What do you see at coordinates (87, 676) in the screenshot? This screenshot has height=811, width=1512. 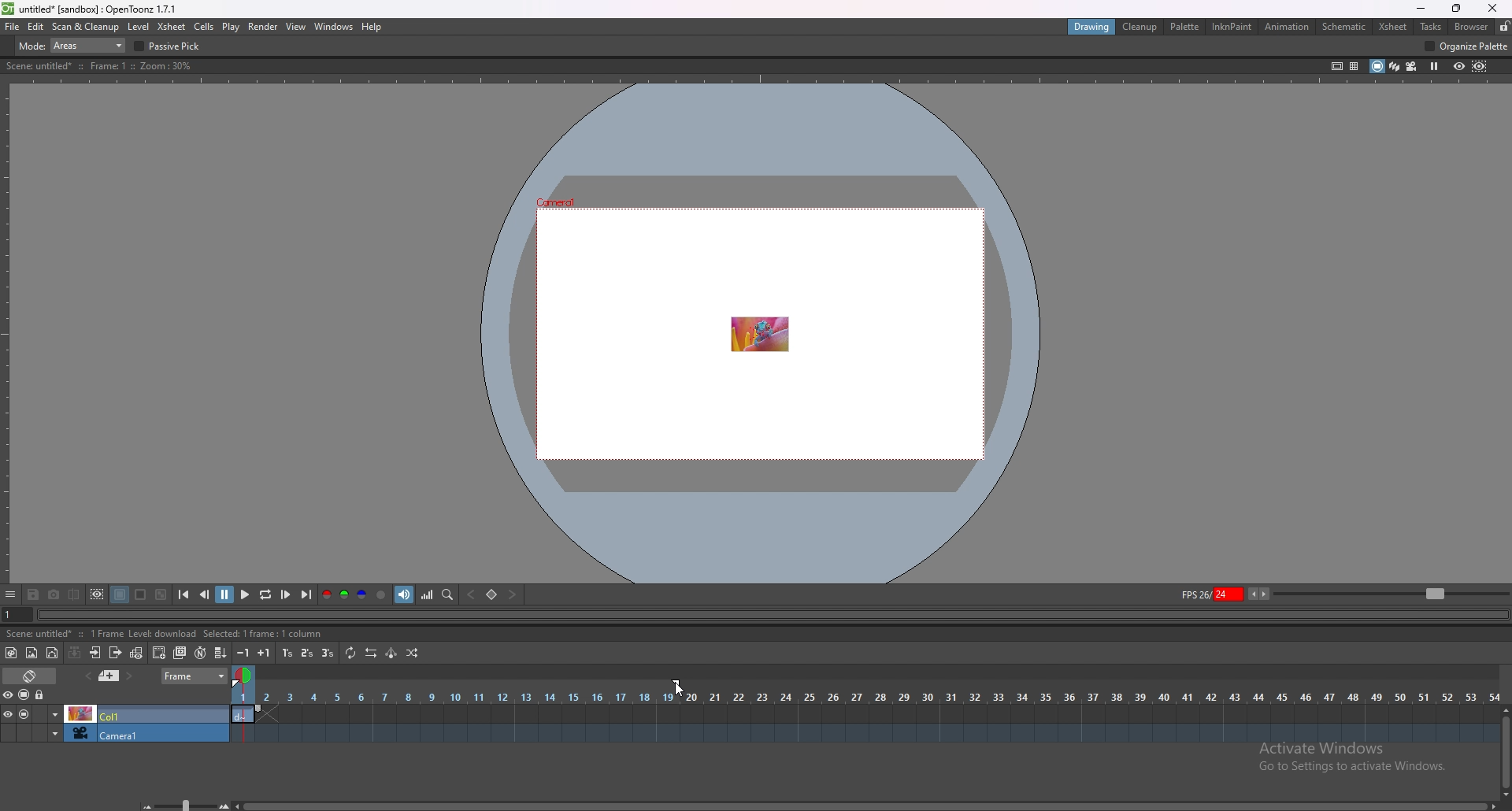 I see `add memo` at bounding box center [87, 676].